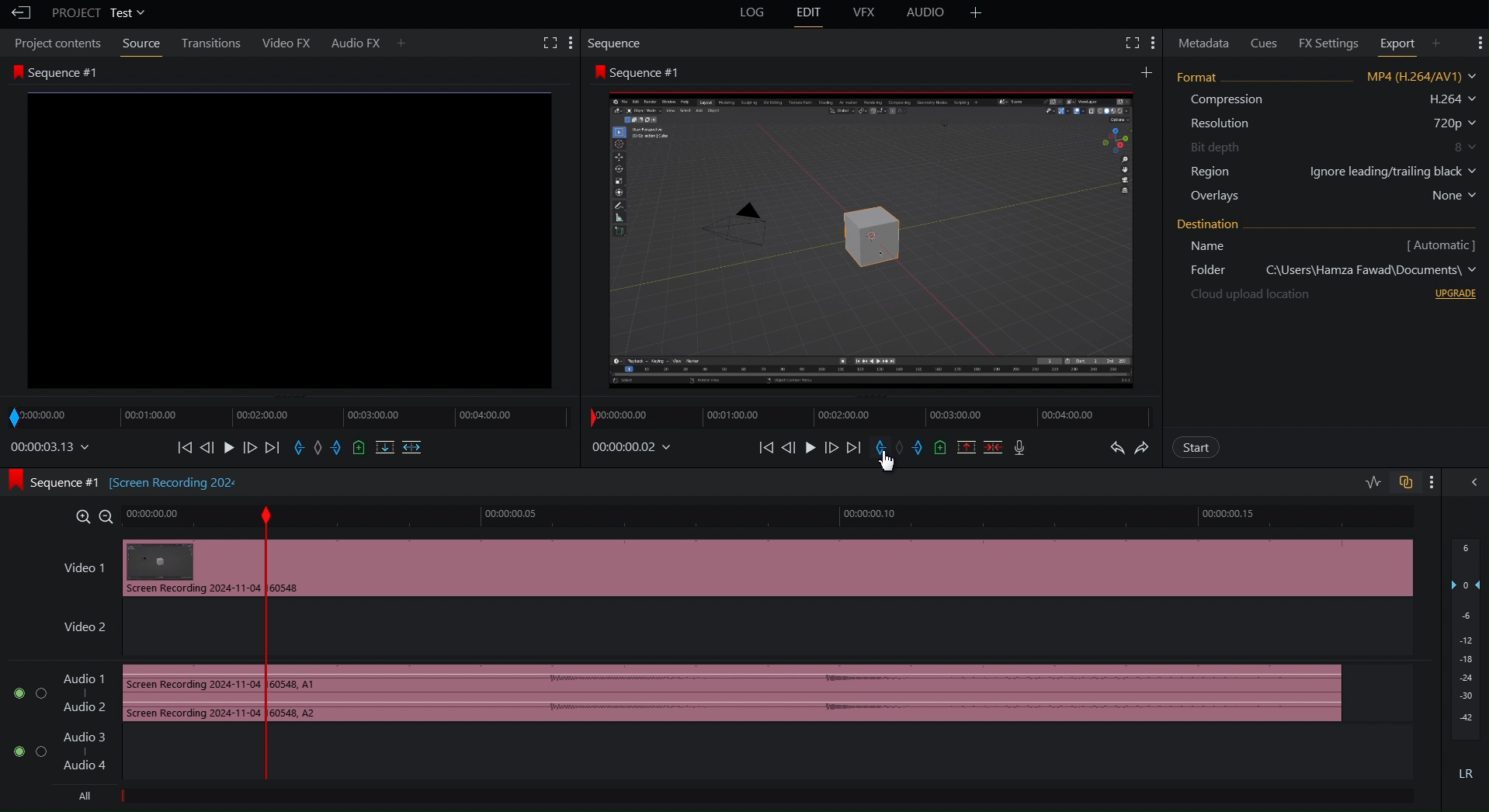  I want to click on Cues, so click(1266, 41).